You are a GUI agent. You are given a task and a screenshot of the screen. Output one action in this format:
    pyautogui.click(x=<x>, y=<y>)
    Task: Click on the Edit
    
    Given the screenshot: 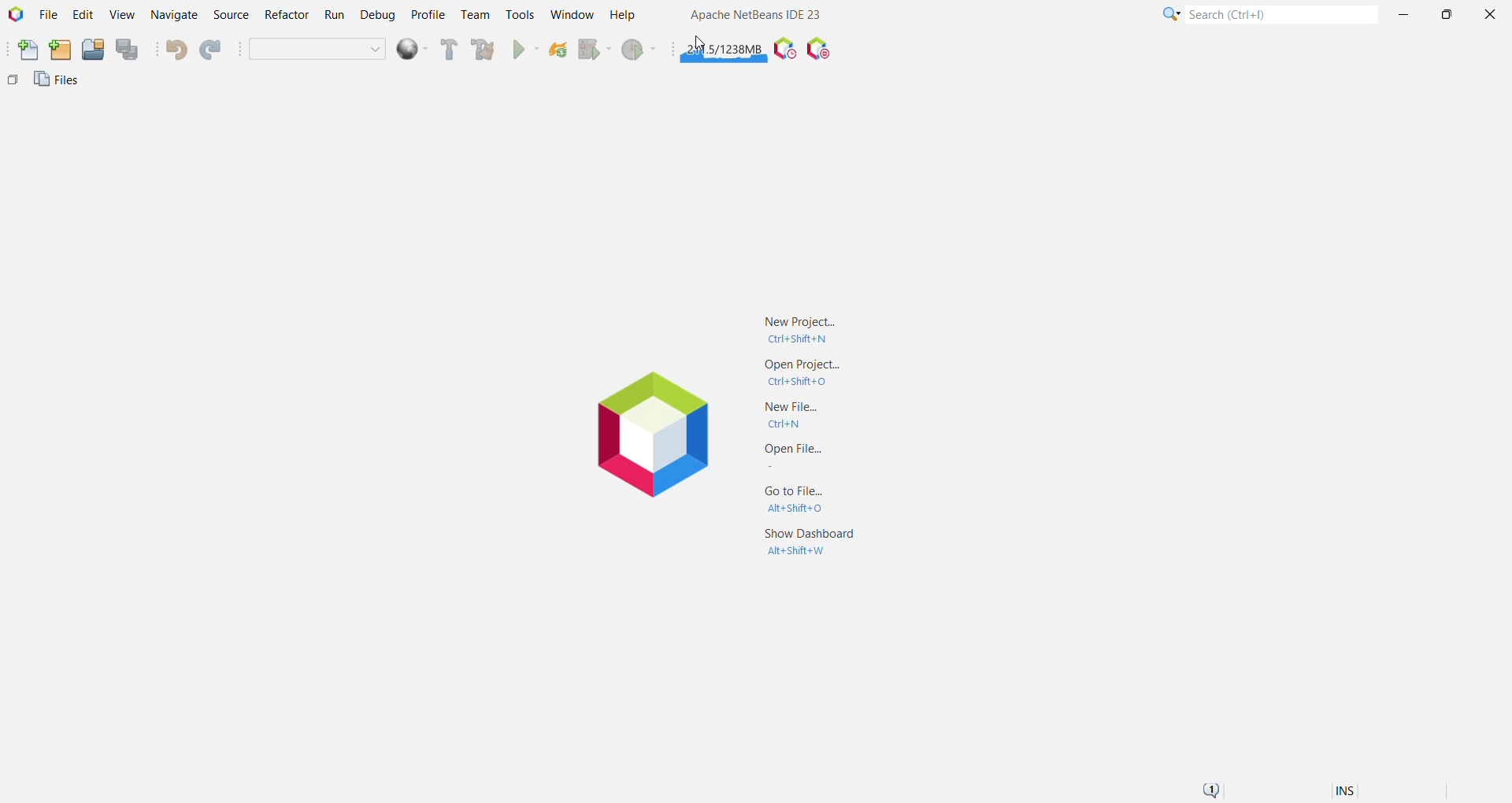 What is the action you would take?
    pyautogui.click(x=83, y=16)
    